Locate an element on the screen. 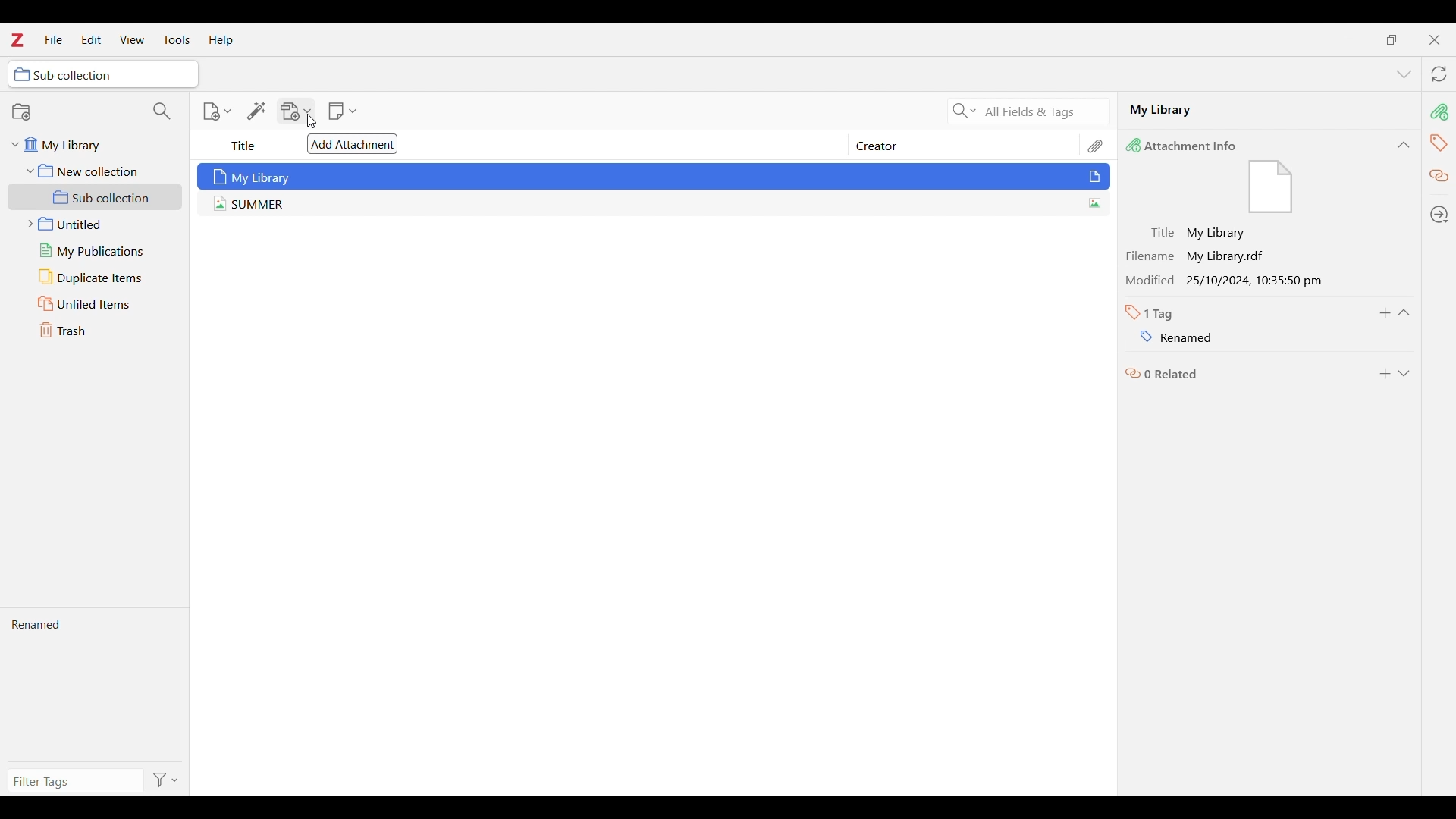  Tools menu is located at coordinates (176, 39).